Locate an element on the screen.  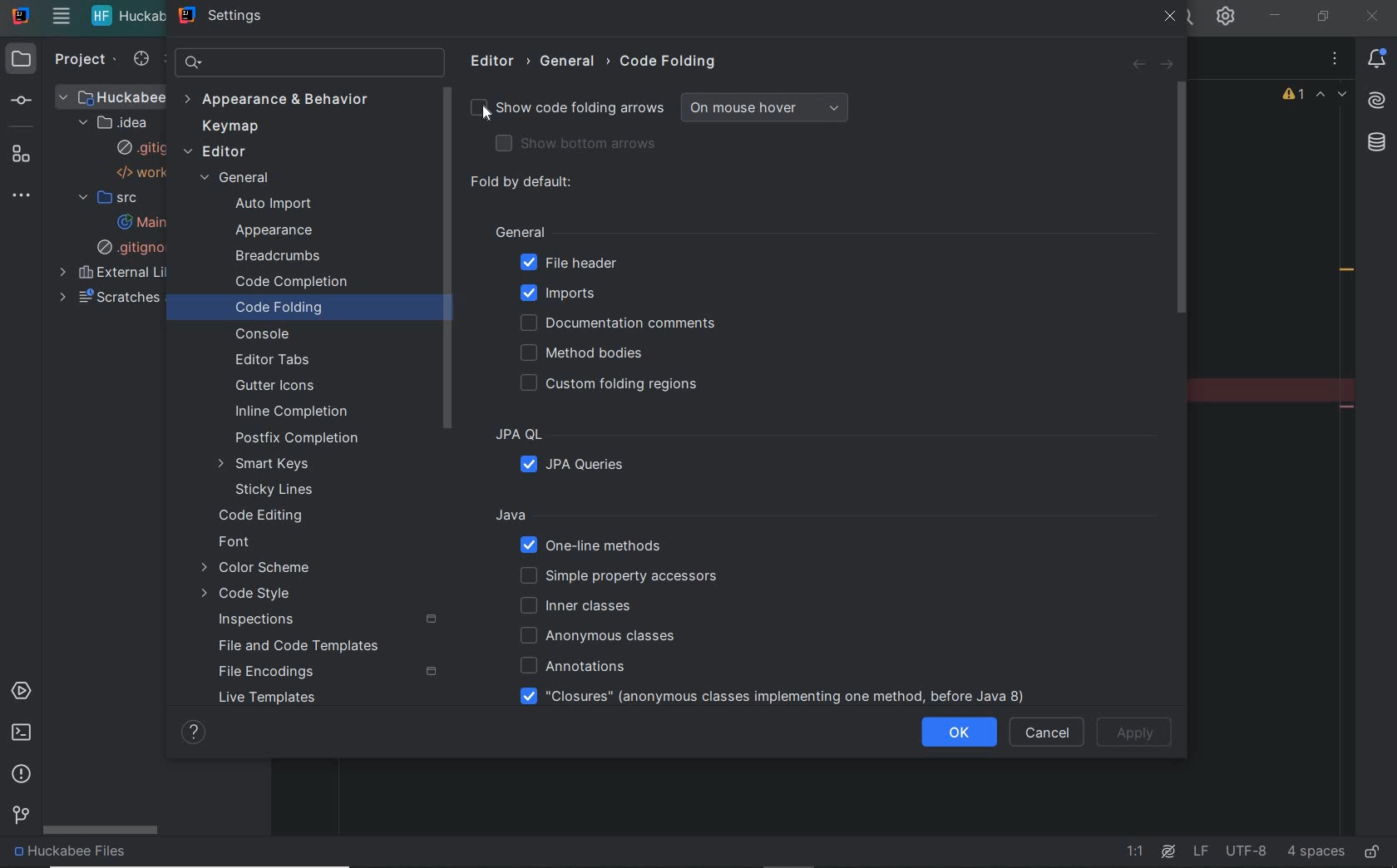
imports is located at coordinates (564, 296).